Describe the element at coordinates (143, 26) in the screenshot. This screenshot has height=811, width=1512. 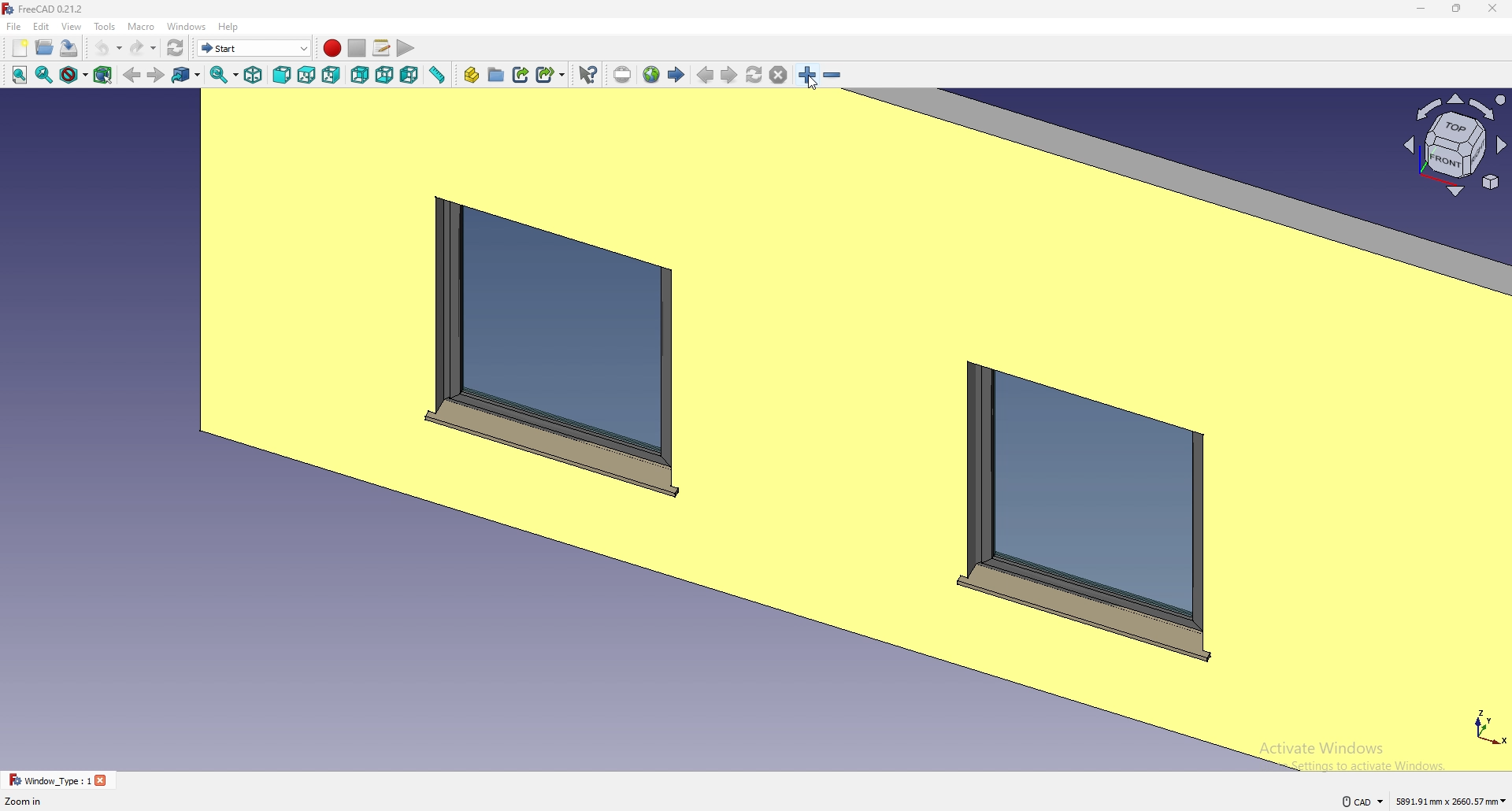
I see `macro` at that location.